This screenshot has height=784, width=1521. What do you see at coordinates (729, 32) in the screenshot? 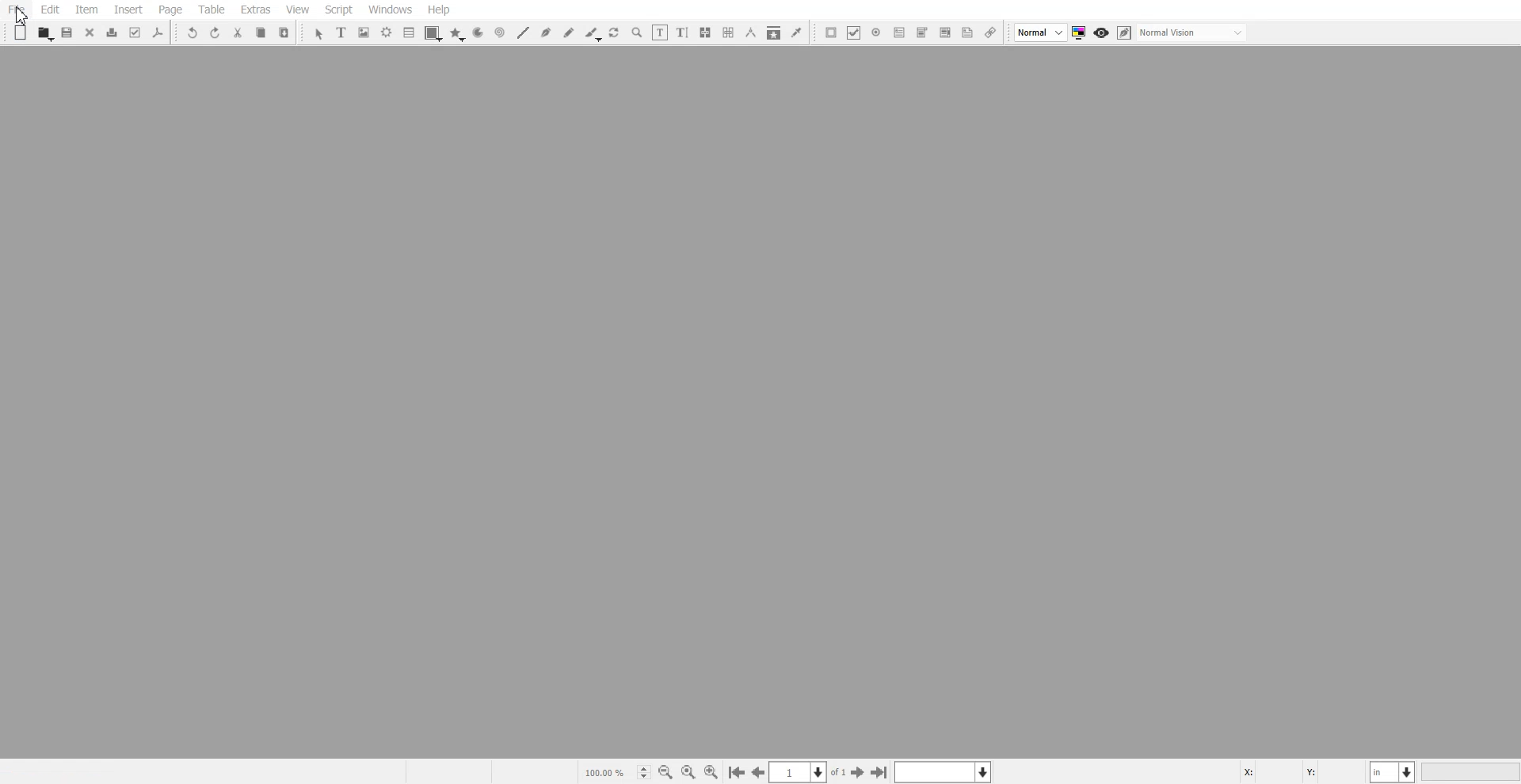
I see `Unlink Text Frame` at bounding box center [729, 32].